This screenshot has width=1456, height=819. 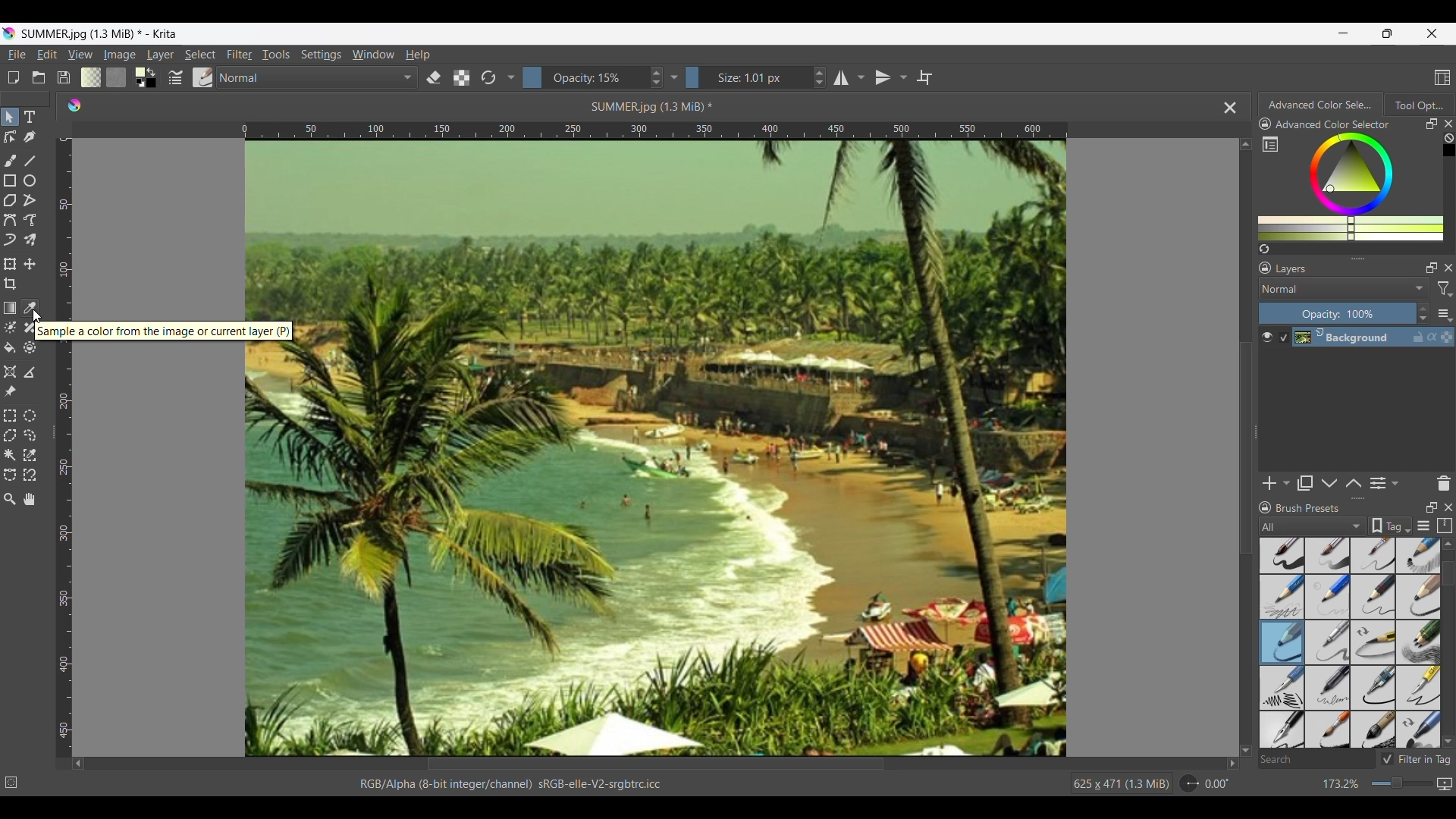 I want to click on Freehand brush tool, so click(x=11, y=162).